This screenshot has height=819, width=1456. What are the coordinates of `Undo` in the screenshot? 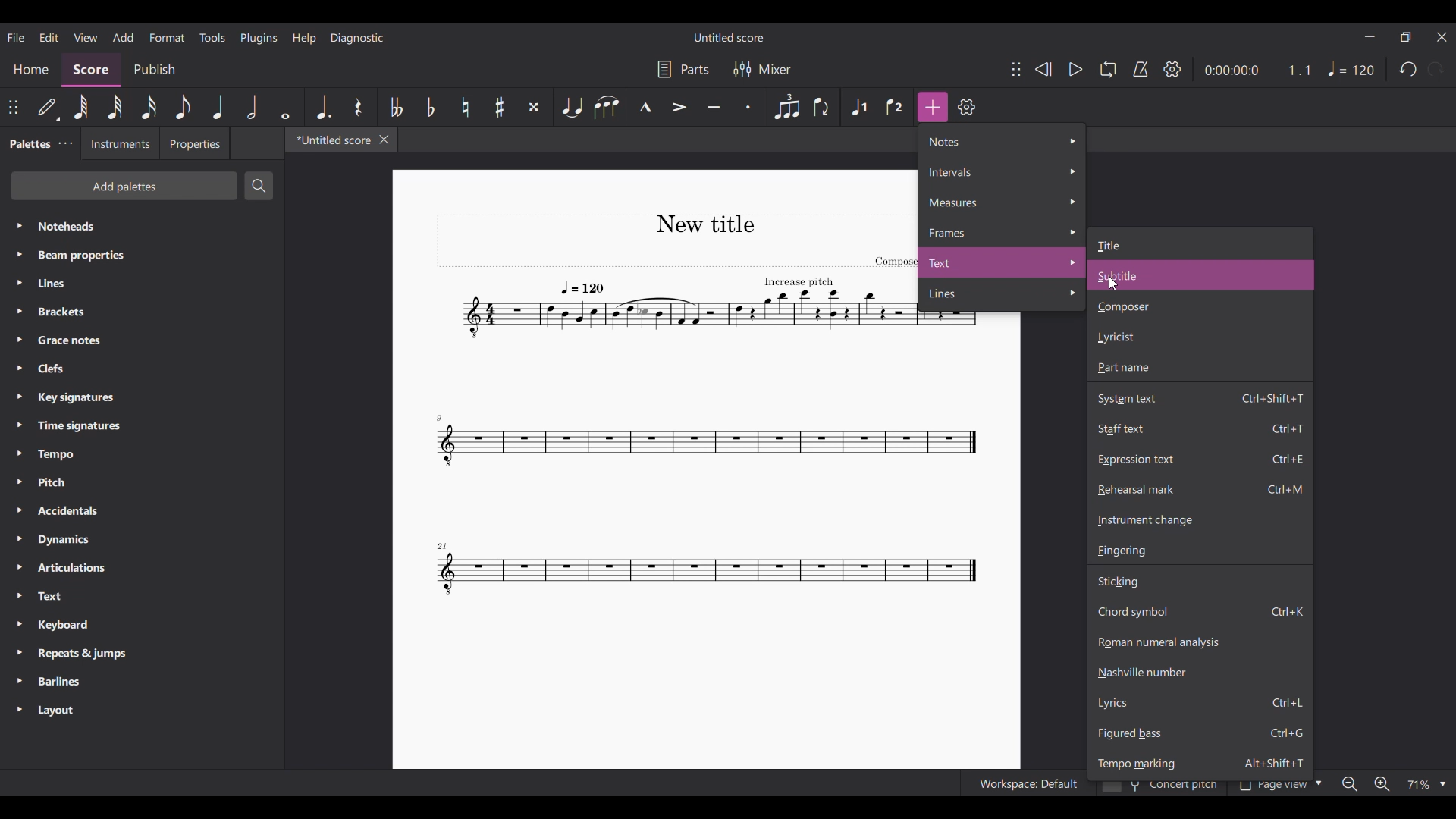 It's located at (1407, 69).